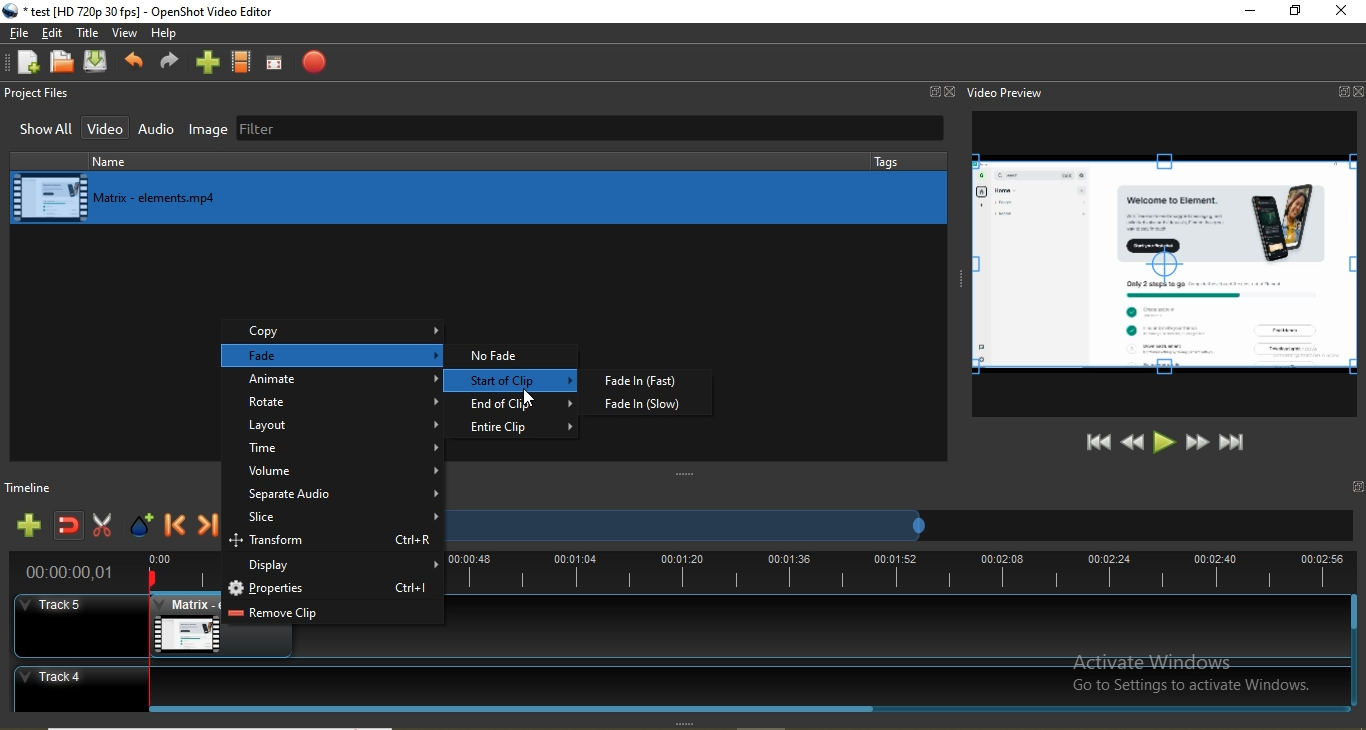 This screenshot has height=730, width=1366. I want to click on start of clip, so click(512, 380).